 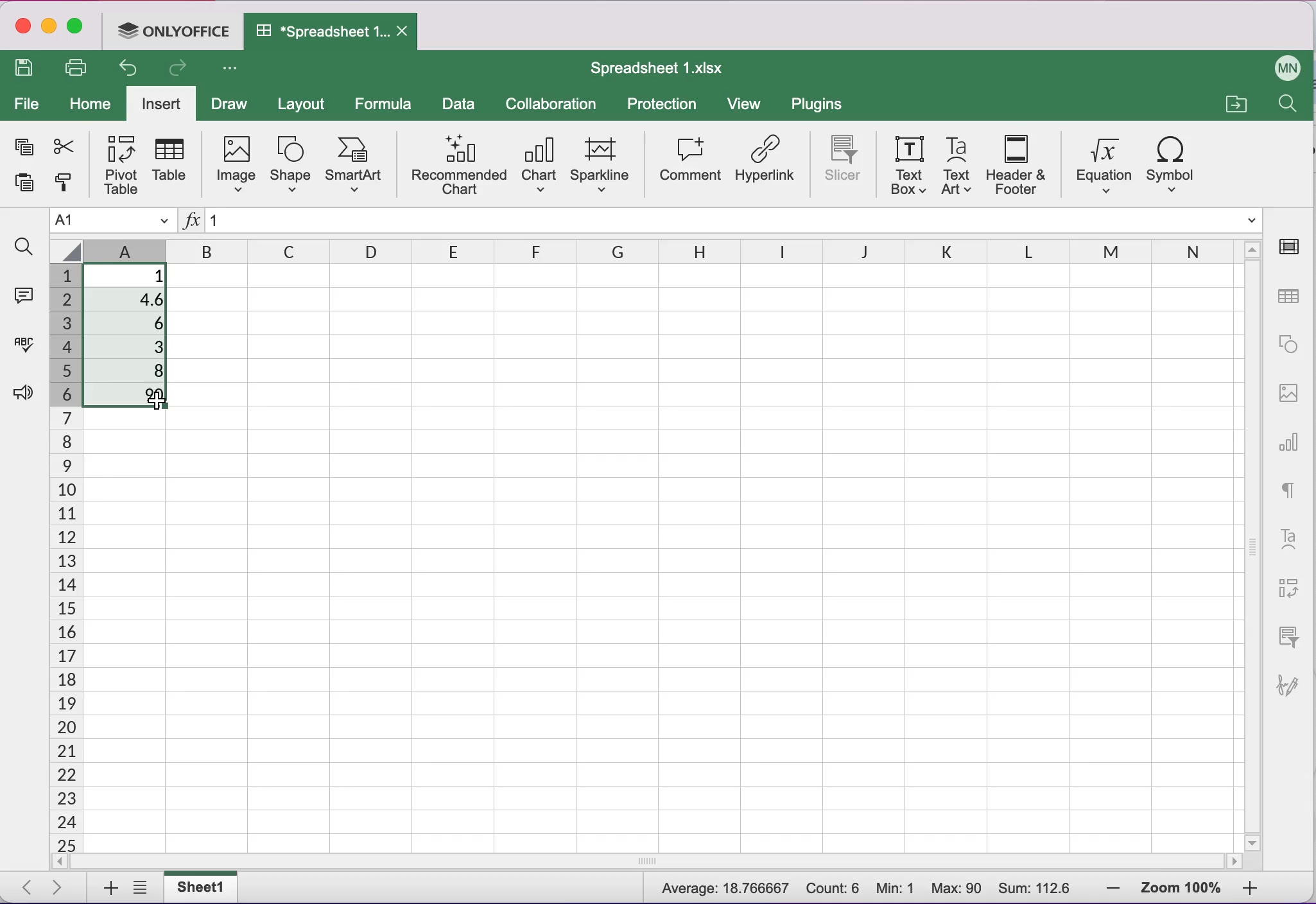 What do you see at coordinates (76, 30) in the screenshot?
I see `maximize` at bounding box center [76, 30].